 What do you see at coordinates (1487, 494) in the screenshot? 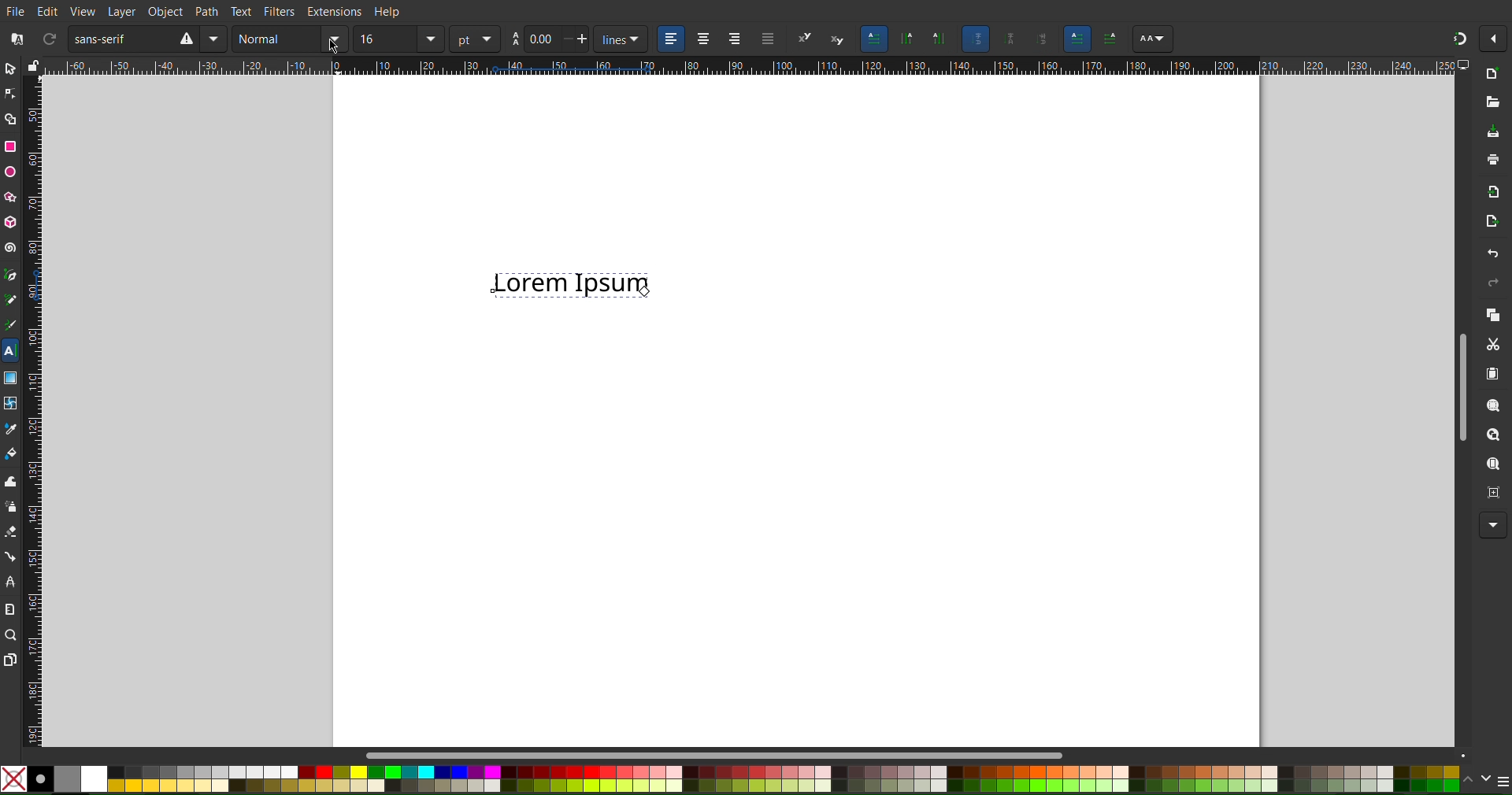
I see `Zoom Centre Page` at bounding box center [1487, 494].